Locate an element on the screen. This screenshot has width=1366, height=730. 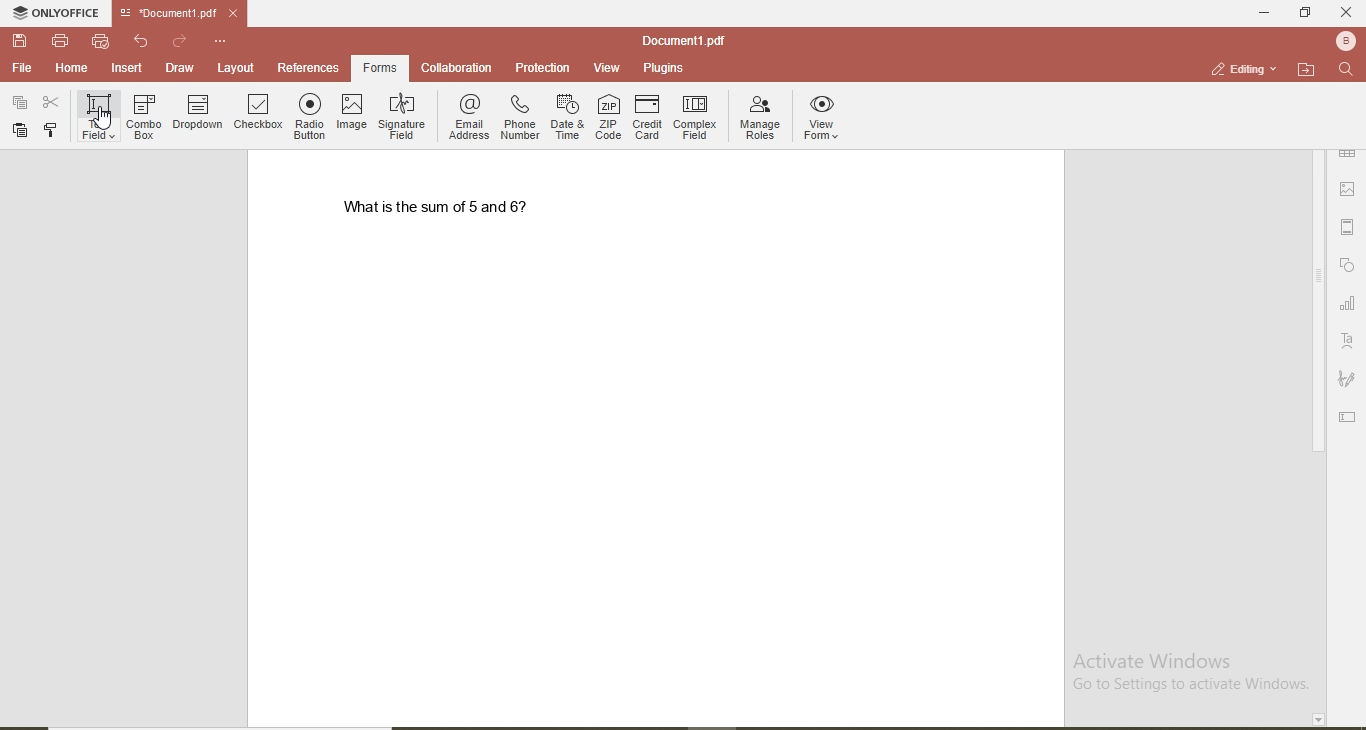
text is located at coordinates (1350, 338).